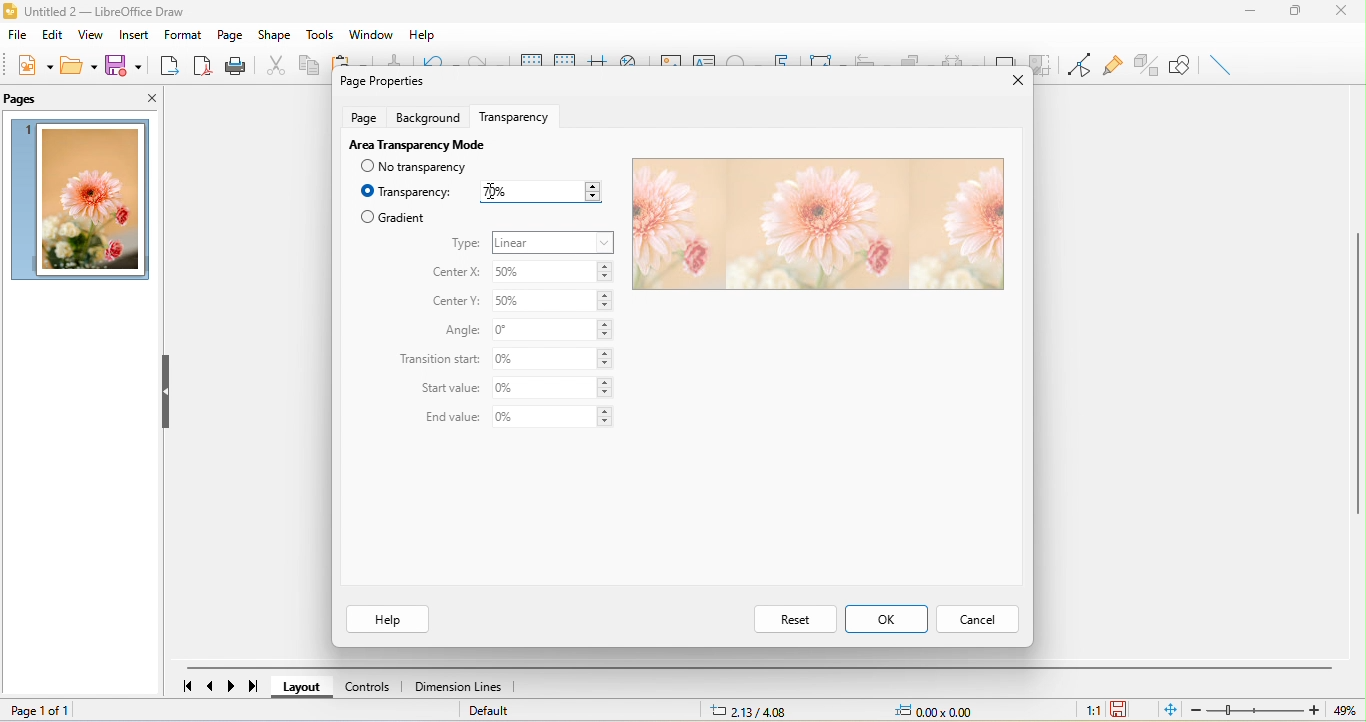 This screenshot has width=1366, height=722. I want to click on center x, so click(454, 273).